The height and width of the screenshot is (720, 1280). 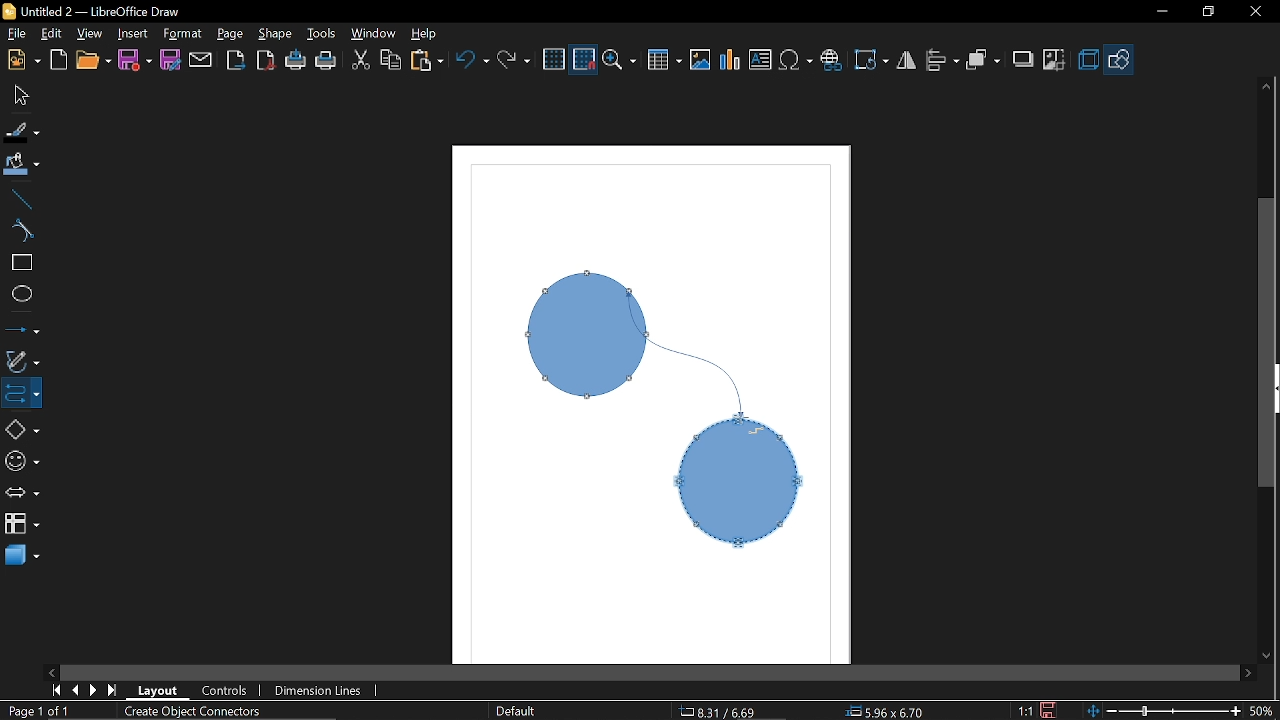 What do you see at coordinates (267, 59) in the screenshot?
I see `Export to PDF` at bounding box center [267, 59].